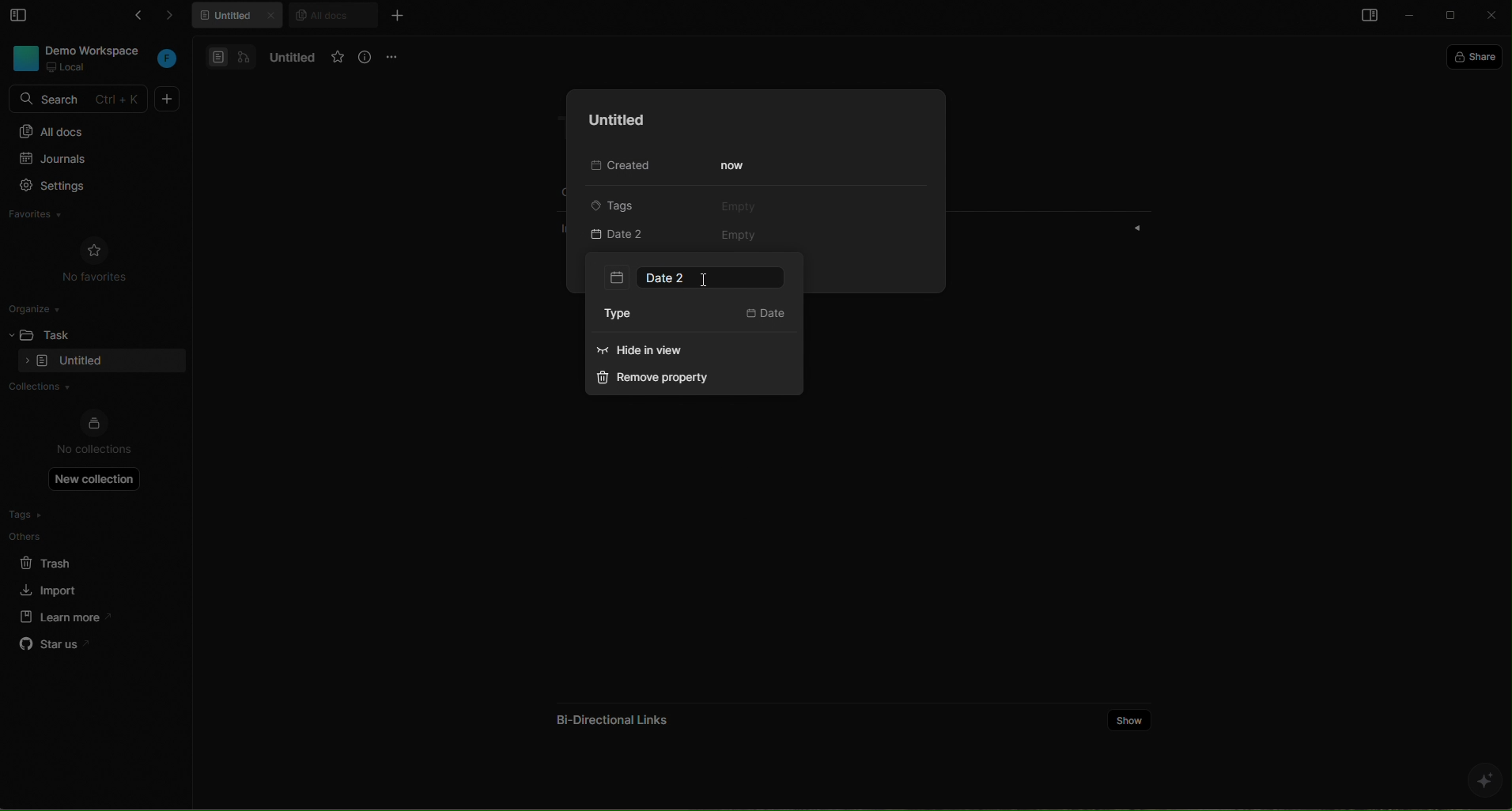  Describe the element at coordinates (58, 515) in the screenshot. I see `tags` at that location.